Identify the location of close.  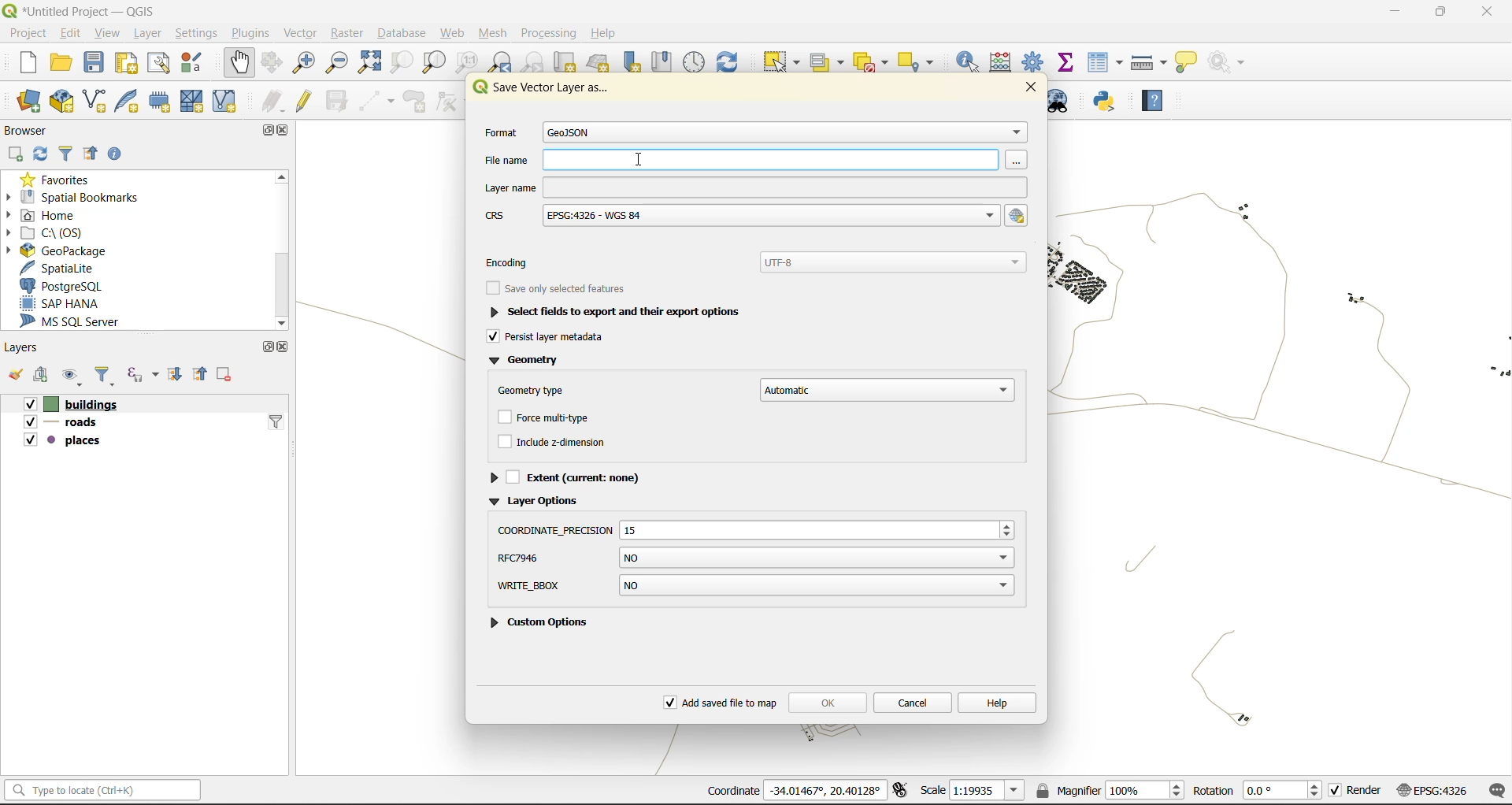
(1027, 87).